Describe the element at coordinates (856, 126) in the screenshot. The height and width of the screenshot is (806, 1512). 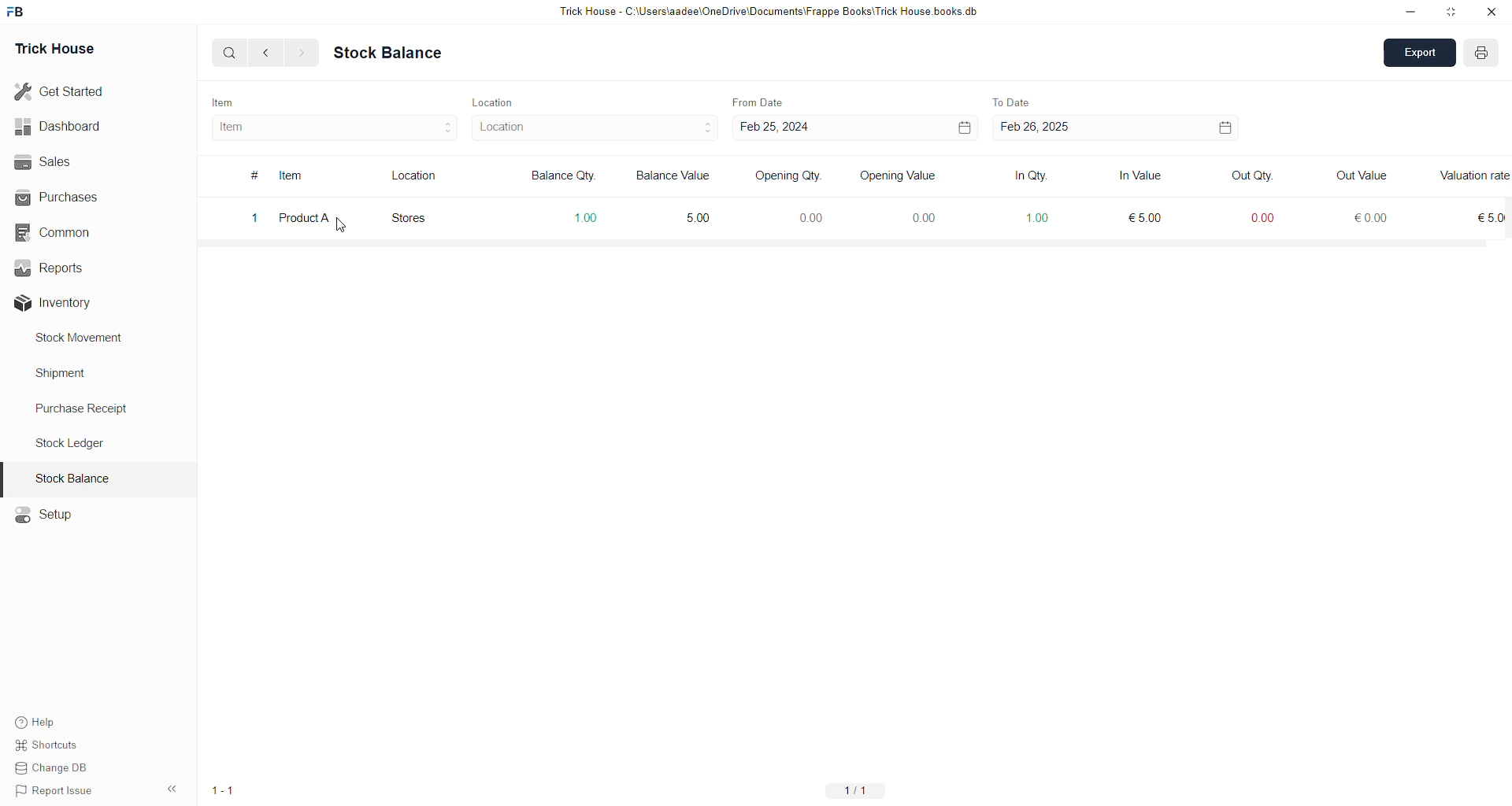
I see `Feb 25, 2024` at that location.